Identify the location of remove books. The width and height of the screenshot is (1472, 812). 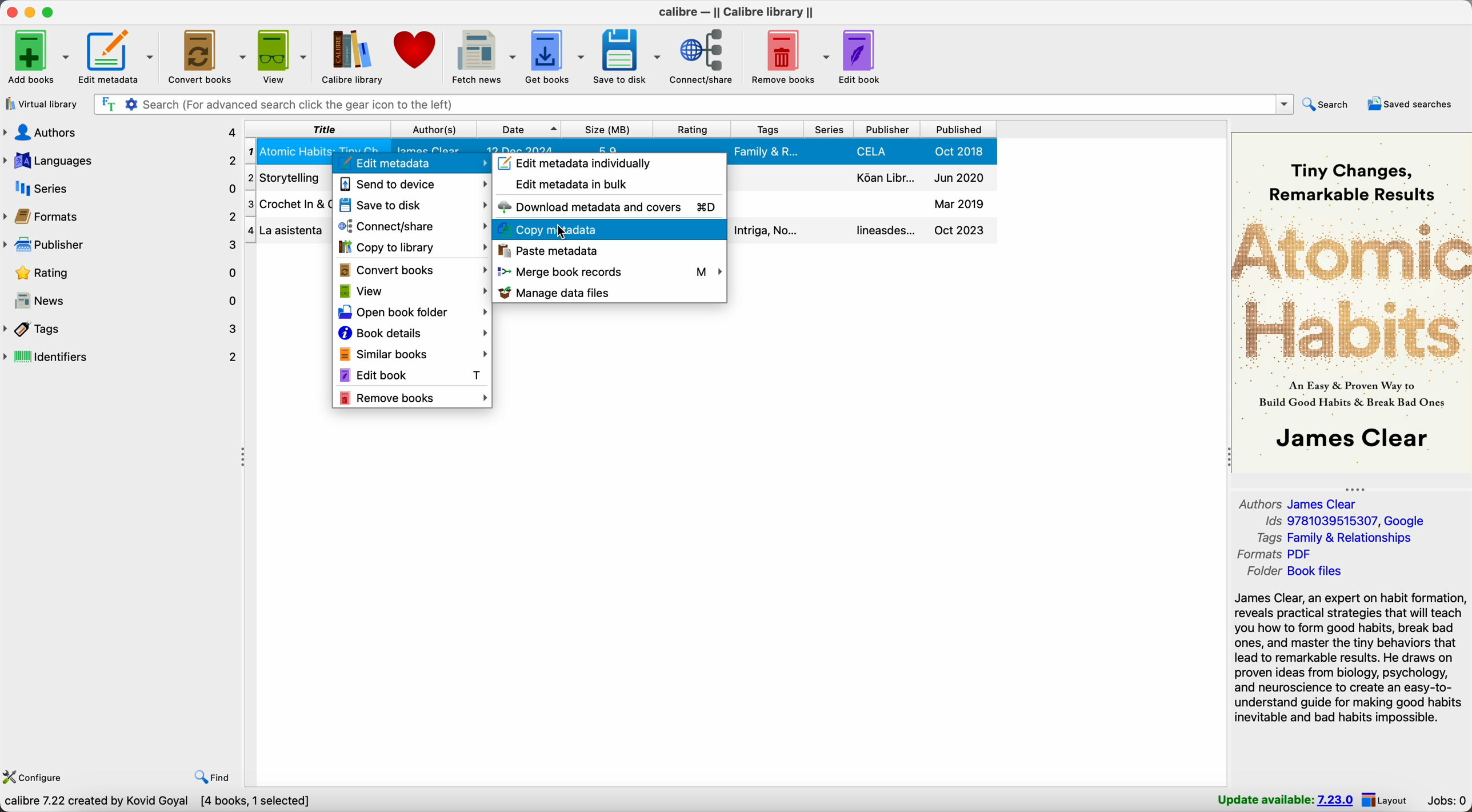
(789, 57).